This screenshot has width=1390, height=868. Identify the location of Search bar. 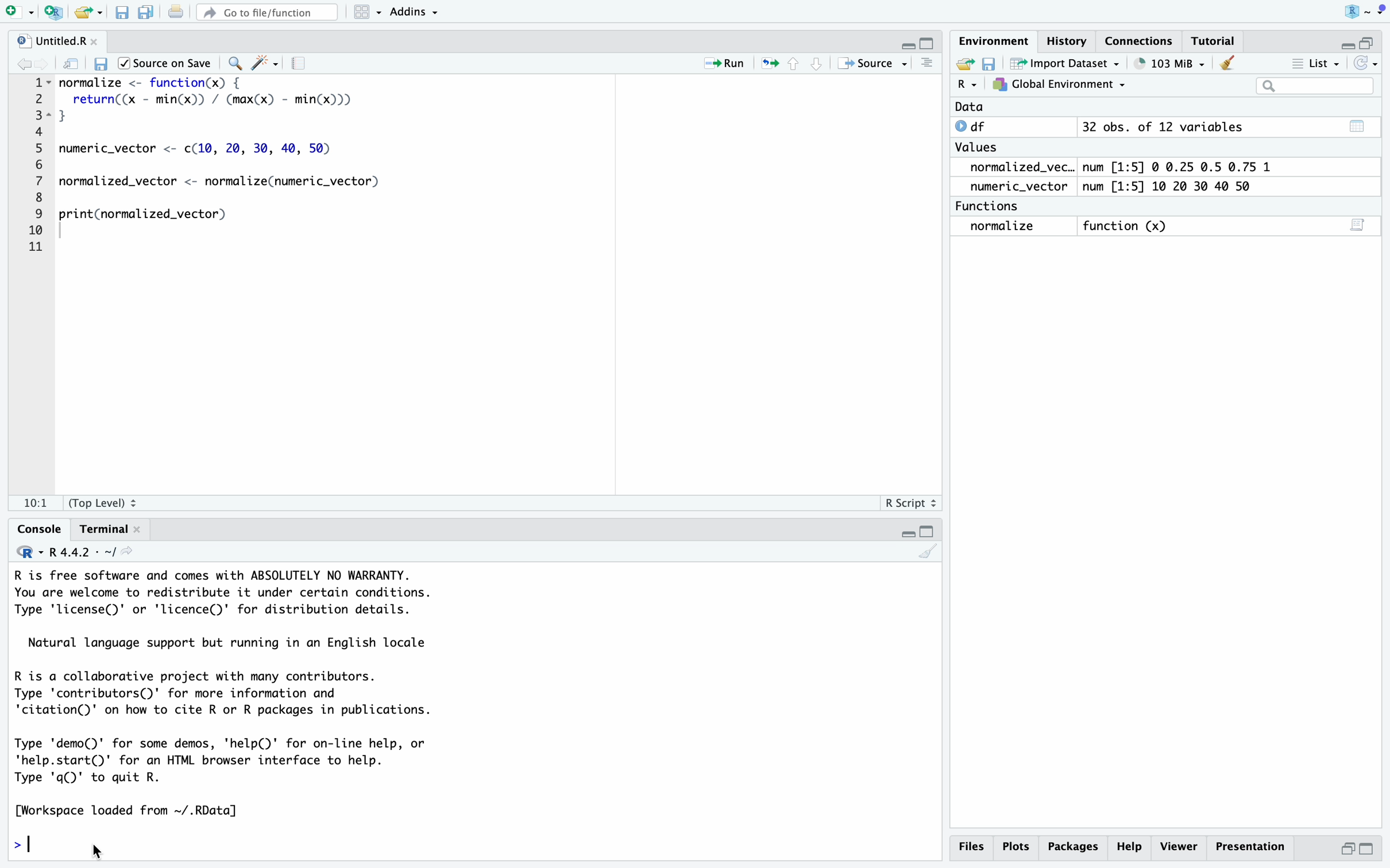
(1314, 86).